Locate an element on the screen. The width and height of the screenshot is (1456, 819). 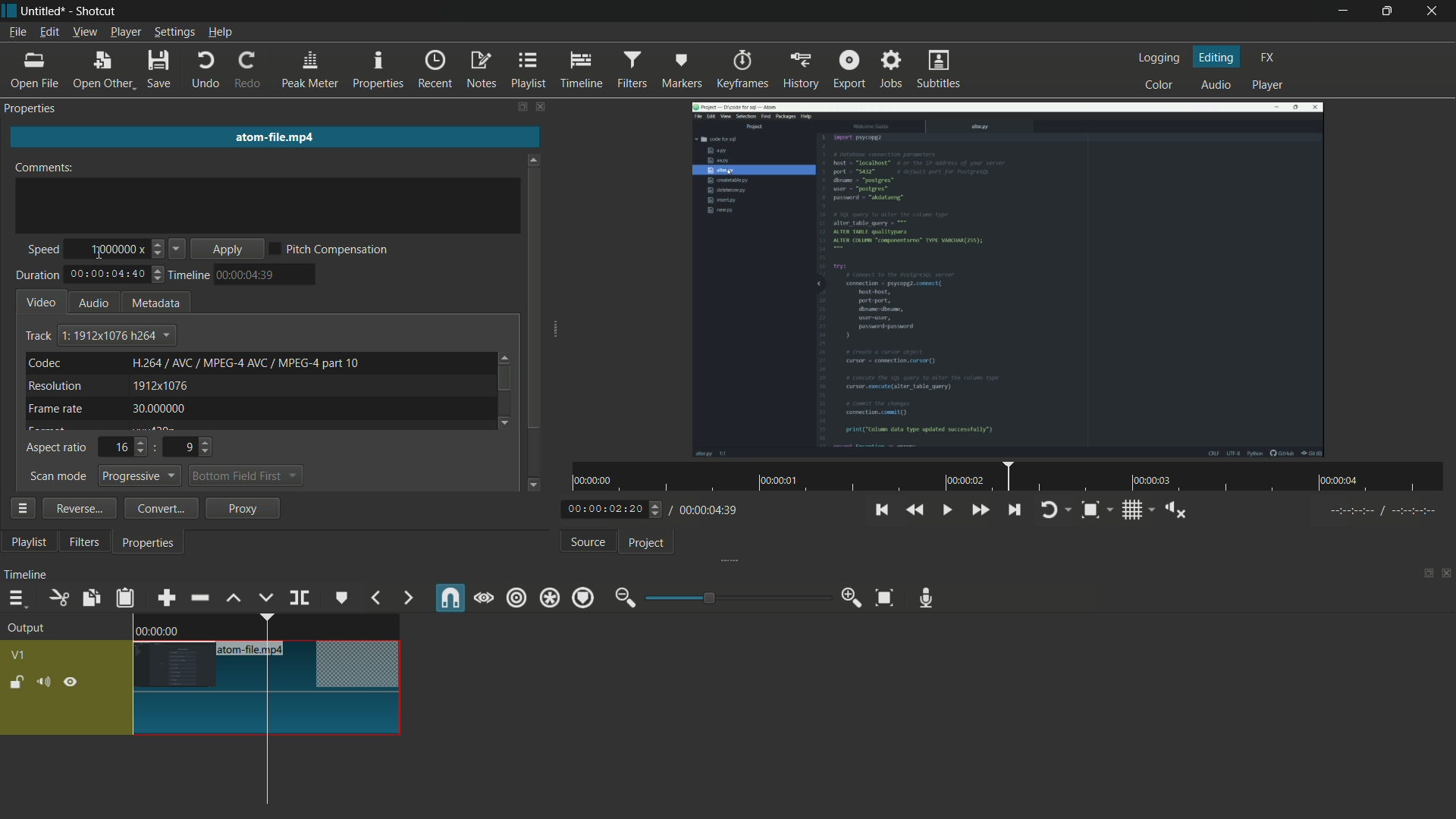
export is located at coordinates (850, 70).